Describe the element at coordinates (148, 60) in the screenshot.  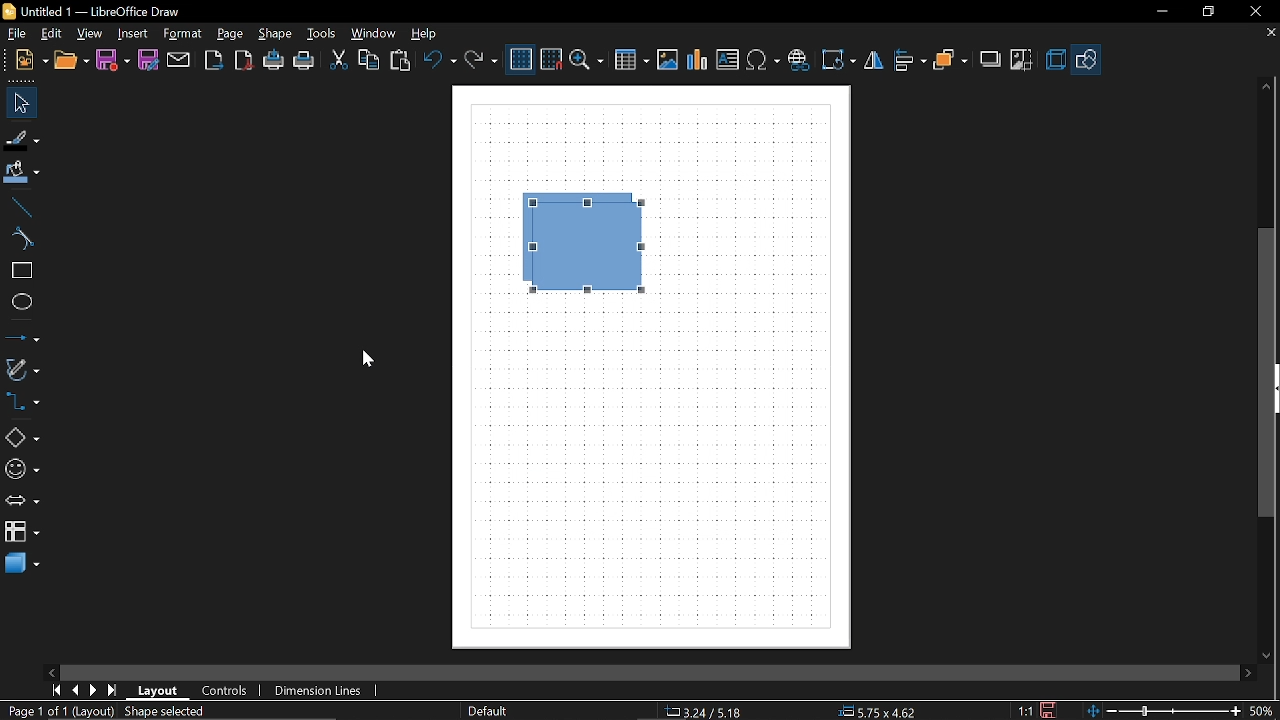
I see `Save as` at that location.